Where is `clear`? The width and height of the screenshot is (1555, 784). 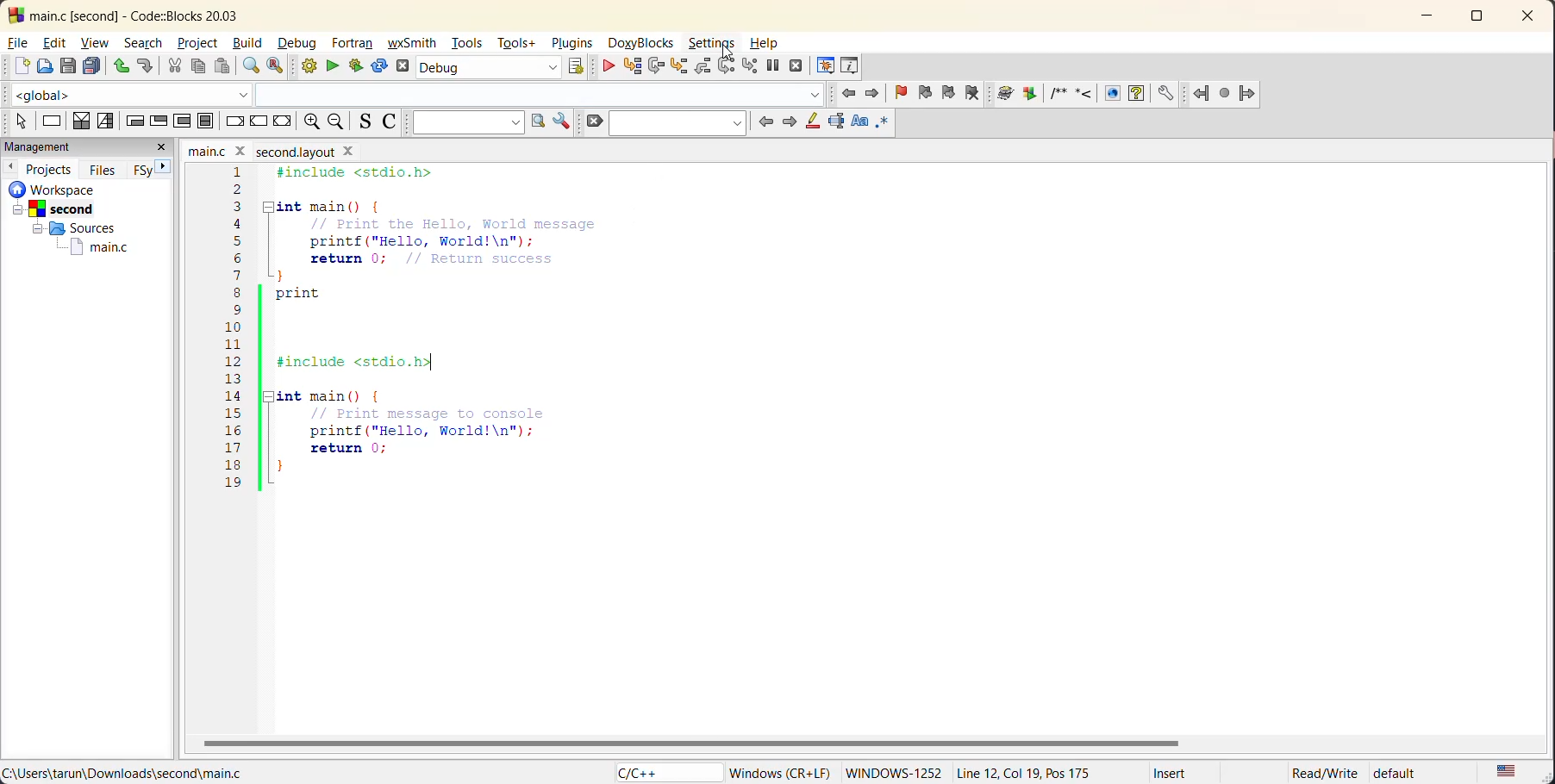 clear is located at coordinates (596, 121).